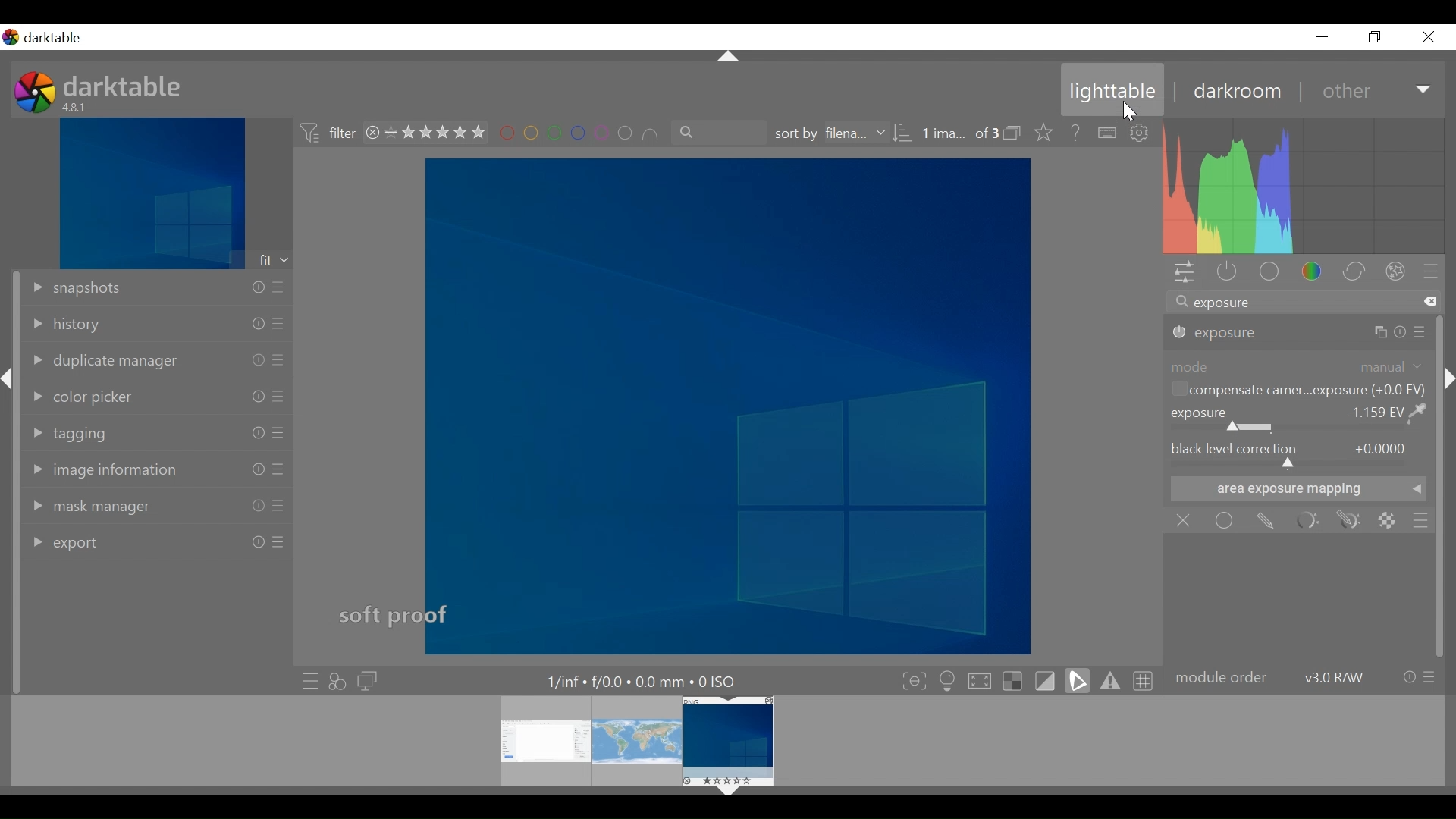 This screenshot has height=819, width=1456. Describe the element at coordinates (279, 324) in the screenshot. I see `presets` at that location.